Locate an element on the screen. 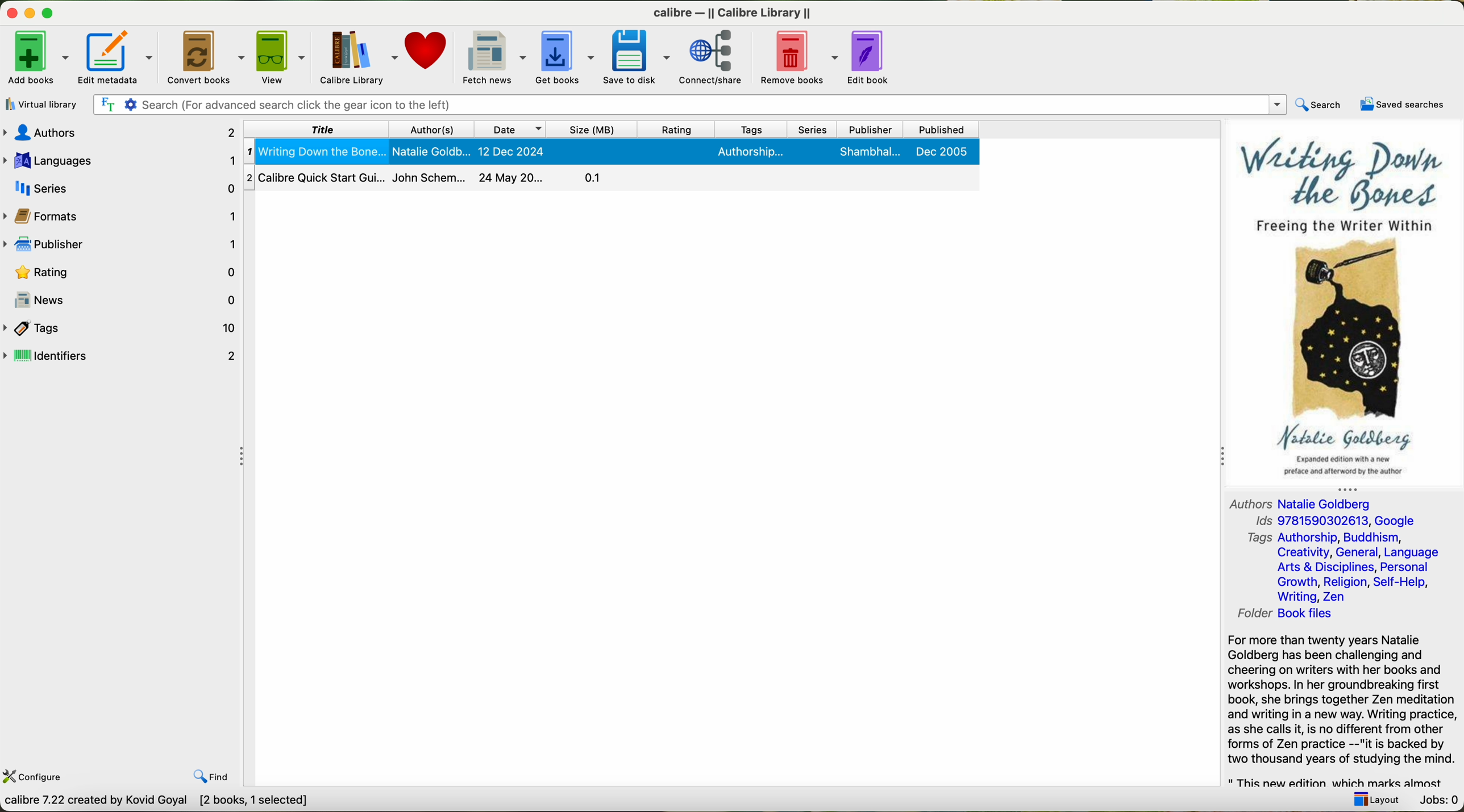  folder is located at coordinates (1289, 614).